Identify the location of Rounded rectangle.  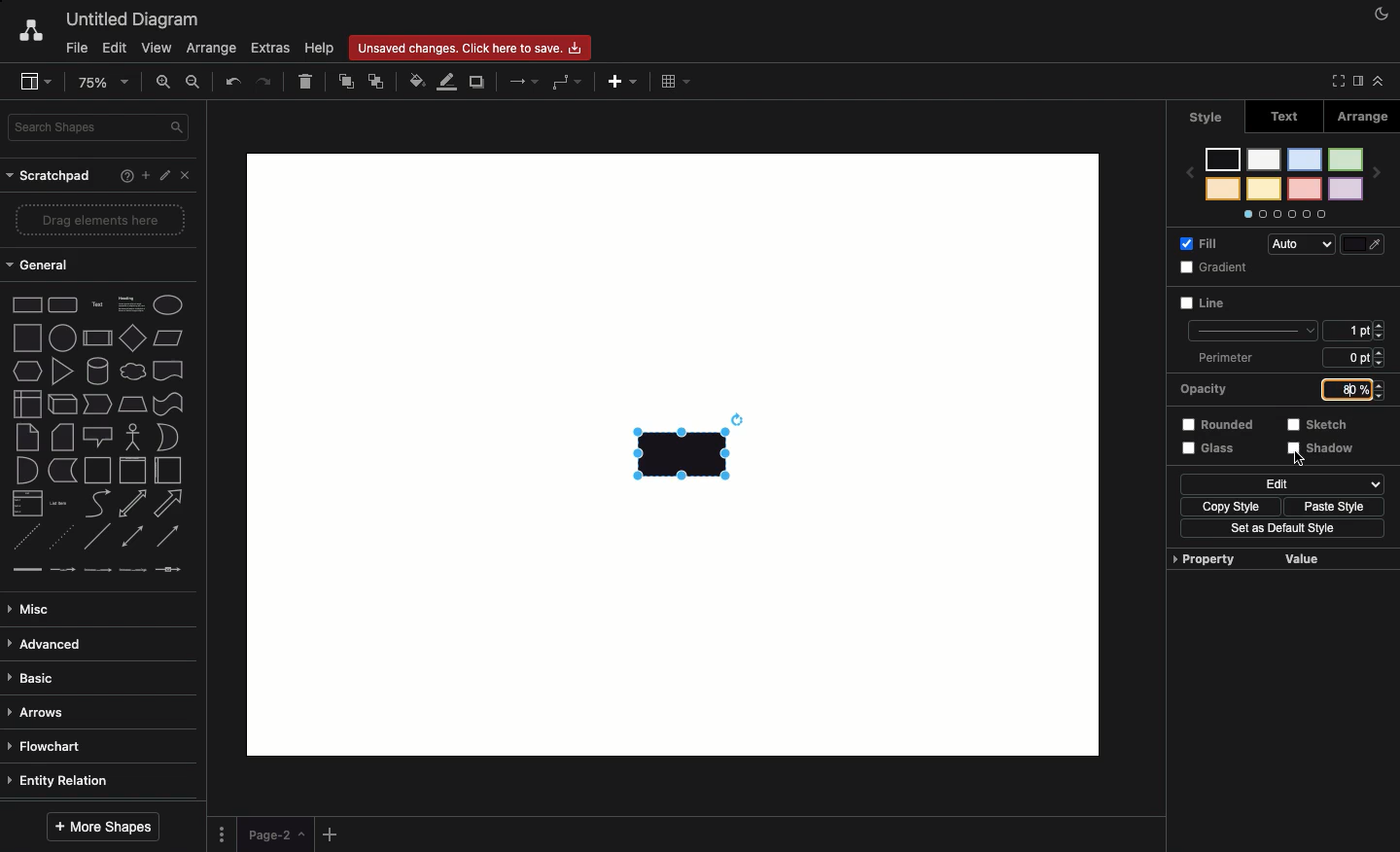
(65, 306).